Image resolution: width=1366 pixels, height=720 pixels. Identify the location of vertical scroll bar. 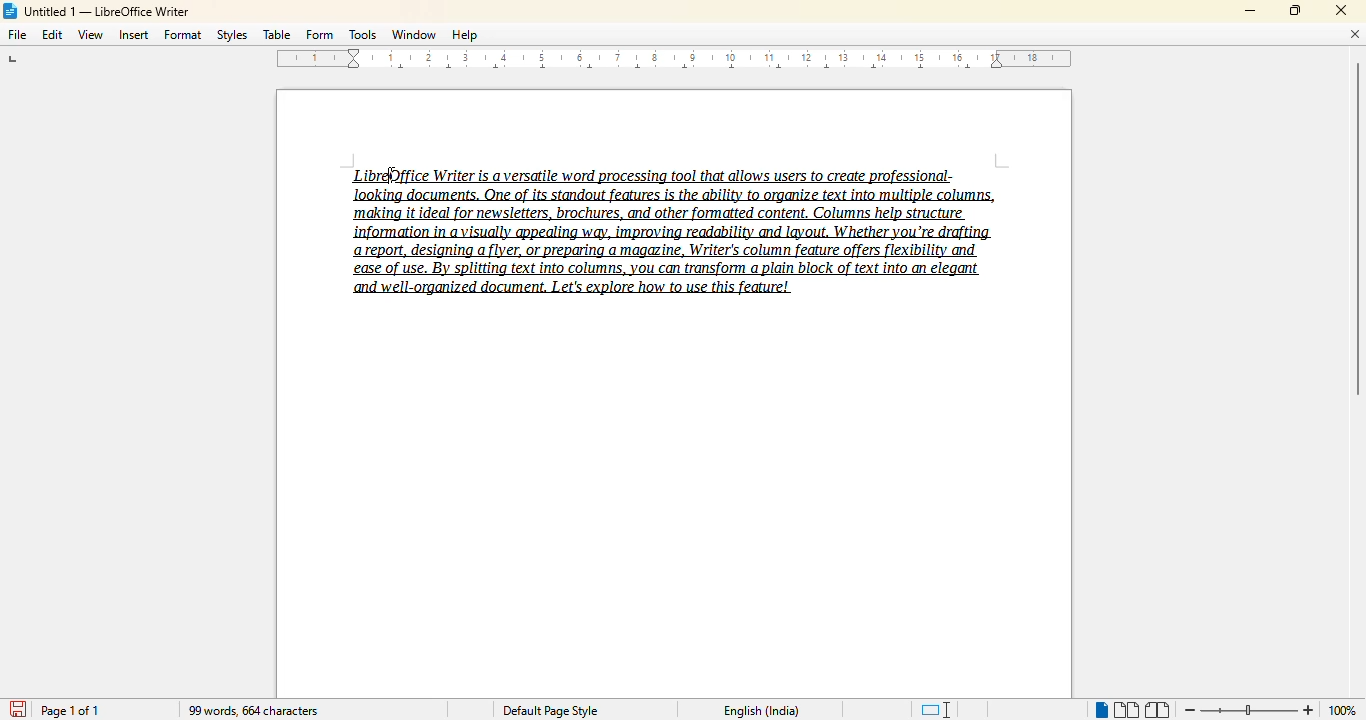
(1357, 229).